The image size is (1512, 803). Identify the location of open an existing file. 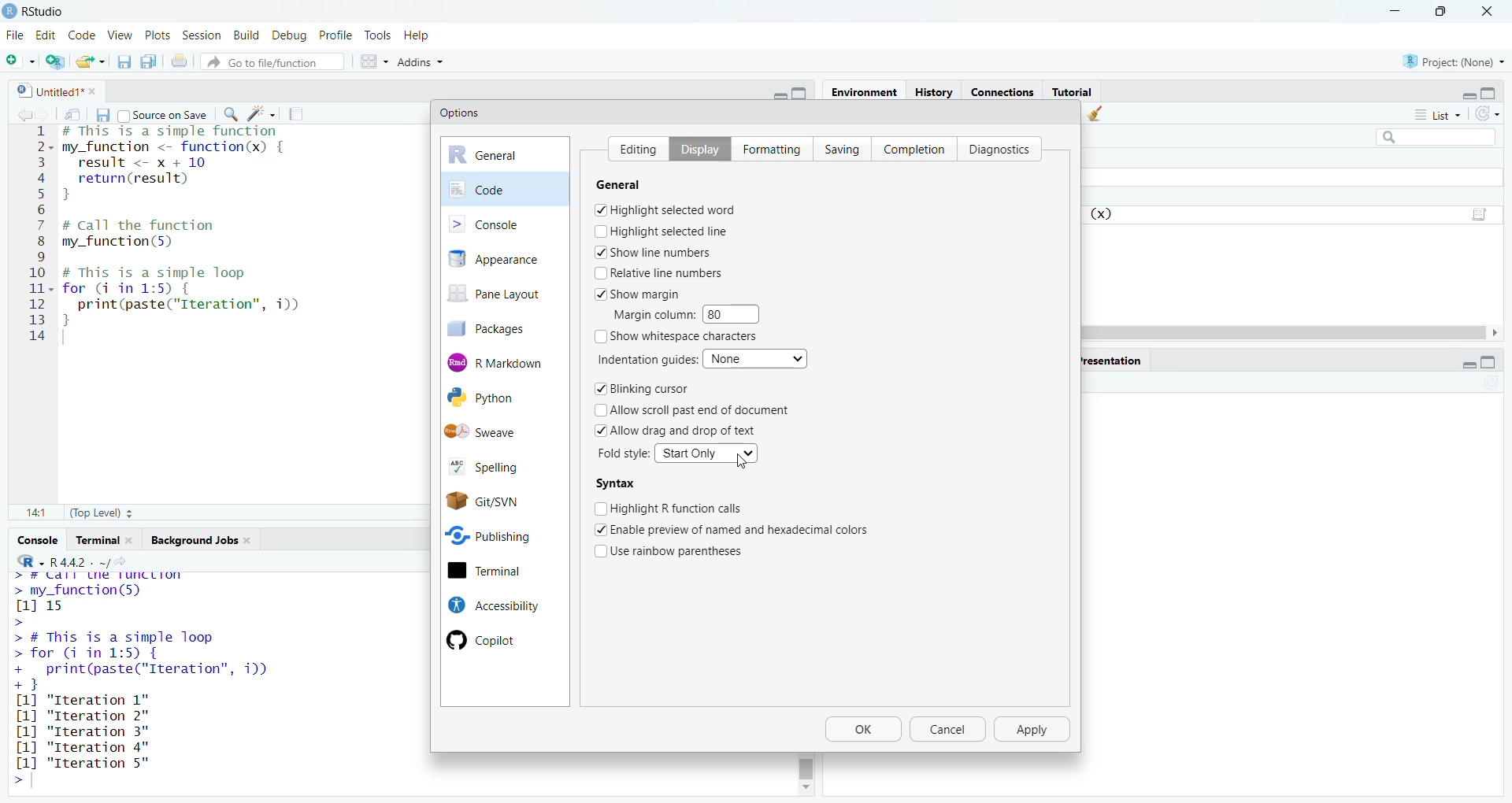
(91, 60).